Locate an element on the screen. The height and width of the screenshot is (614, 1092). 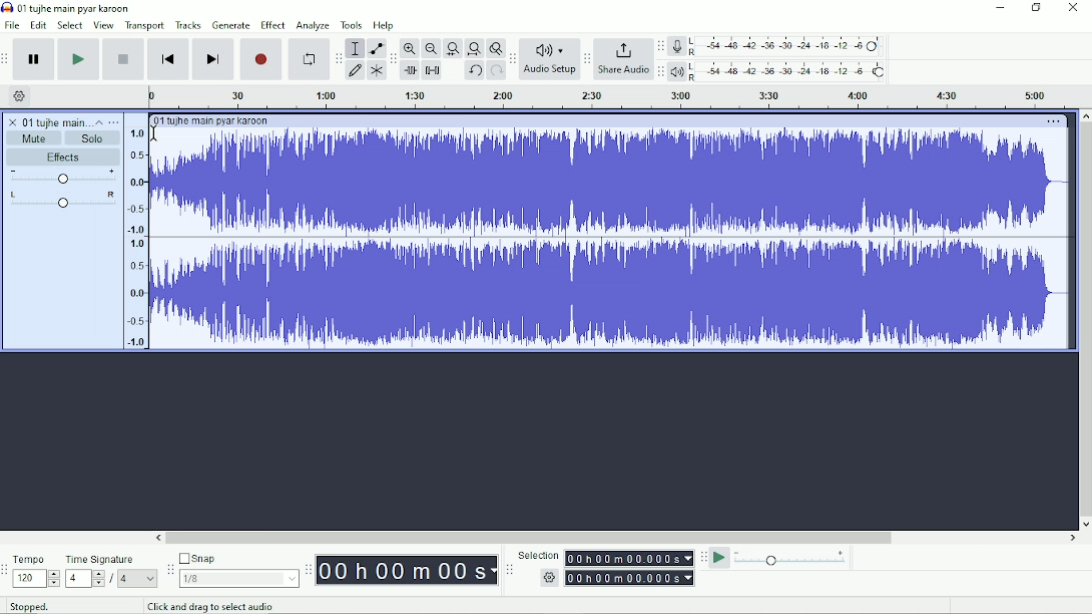
Audio Setup is located at coordinates (549, 59).